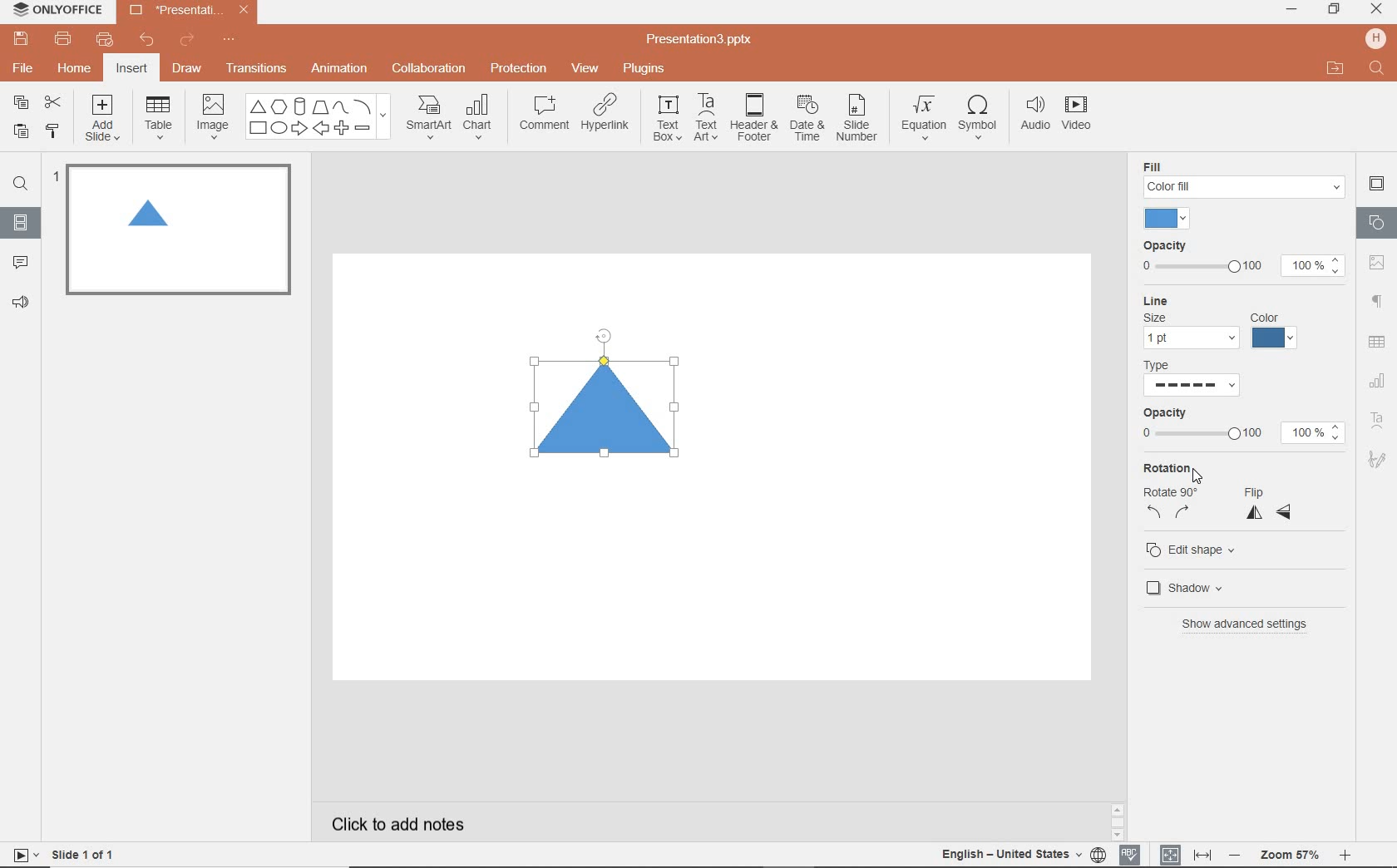 Image resolution: width=1397 pixels, height=868 pixels. Describe the element at coordinates (609, 422) in the screenshot. I see `dashed line added around` at that location.